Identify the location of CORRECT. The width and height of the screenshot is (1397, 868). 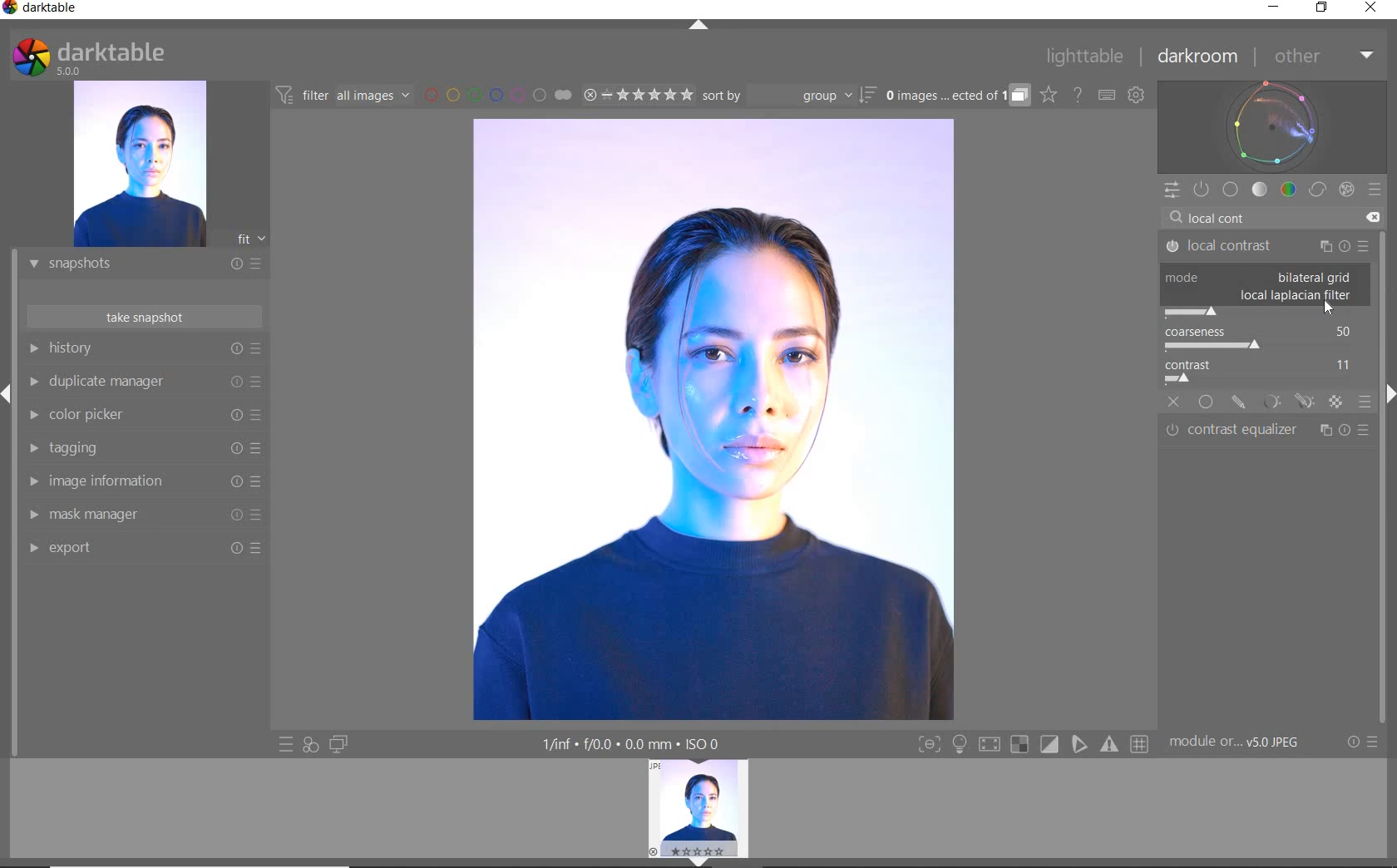
(1319, 191).